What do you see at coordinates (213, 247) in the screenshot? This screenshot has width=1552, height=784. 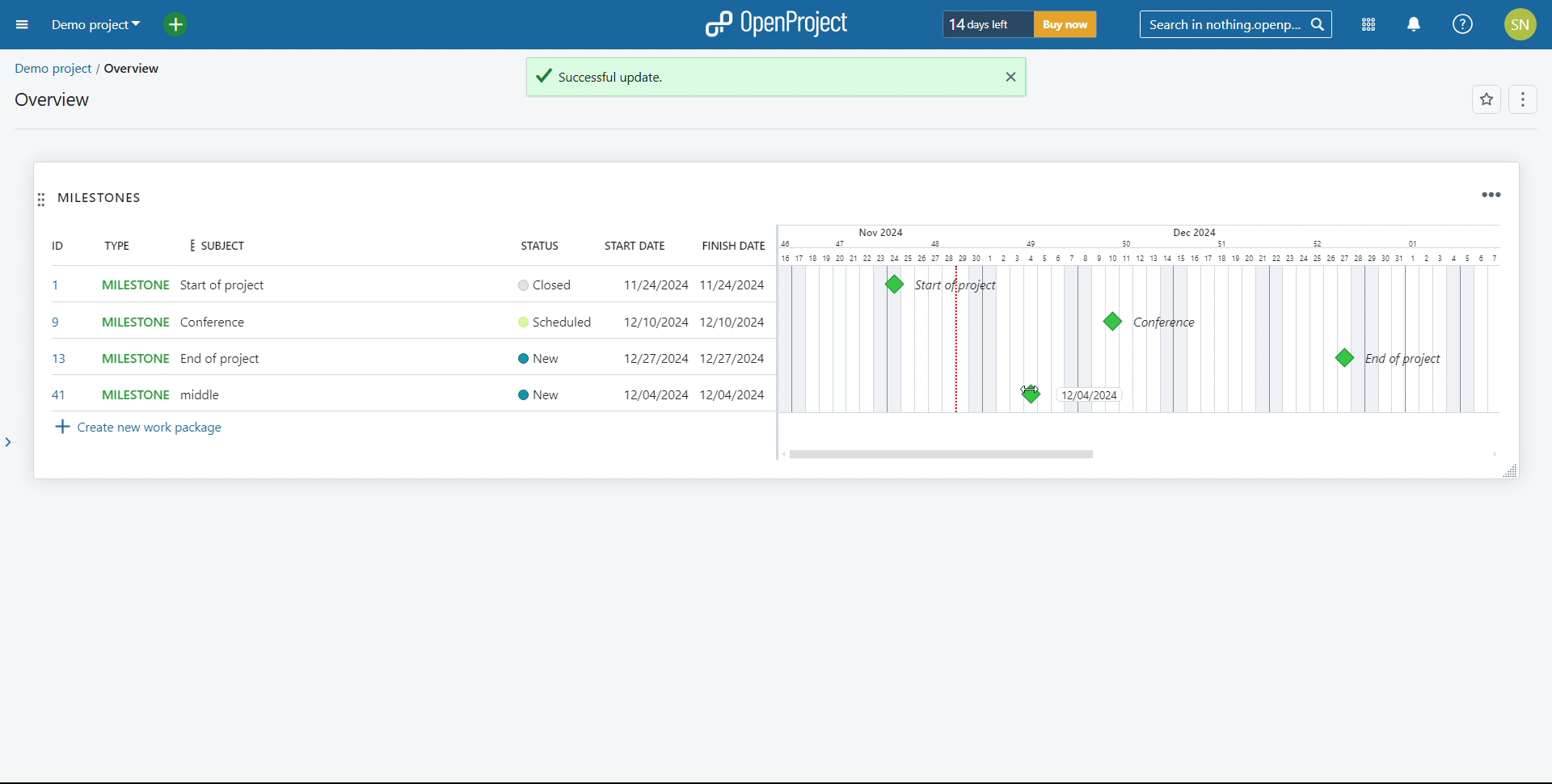 I see `subject` at bounding box center [213, 247].